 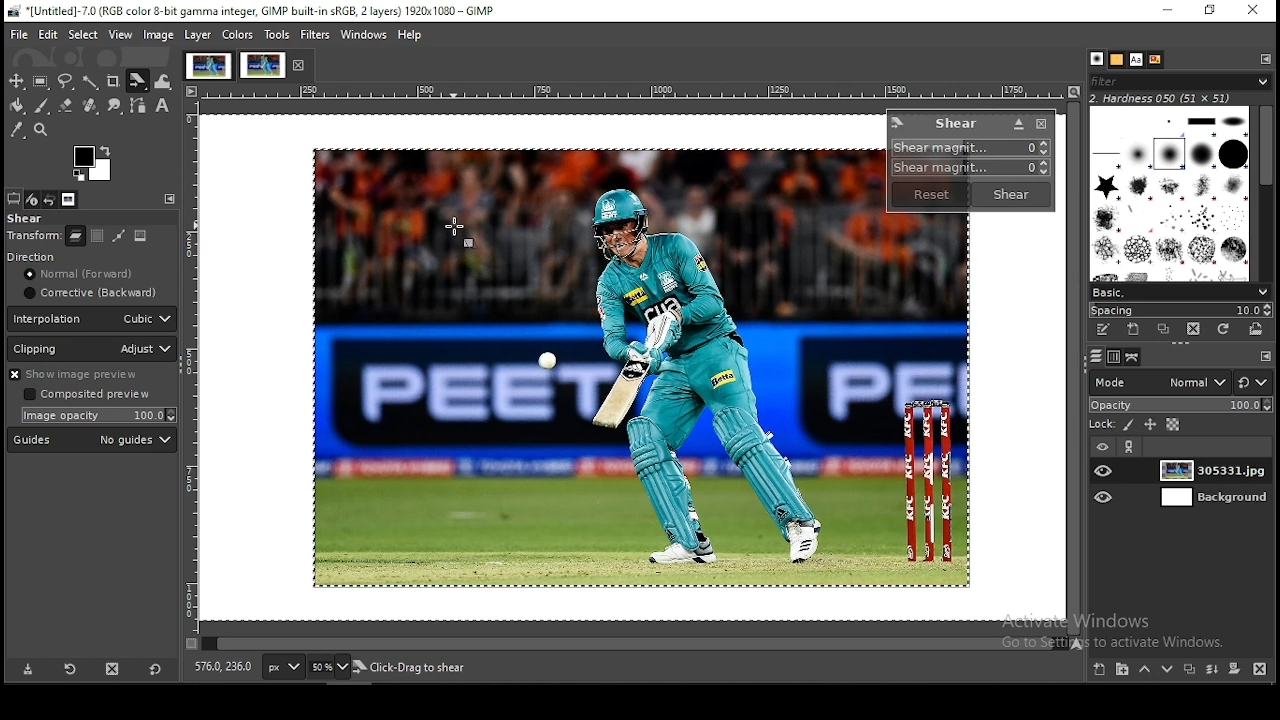 I want to click on shear, so click(x=1008, y=194).